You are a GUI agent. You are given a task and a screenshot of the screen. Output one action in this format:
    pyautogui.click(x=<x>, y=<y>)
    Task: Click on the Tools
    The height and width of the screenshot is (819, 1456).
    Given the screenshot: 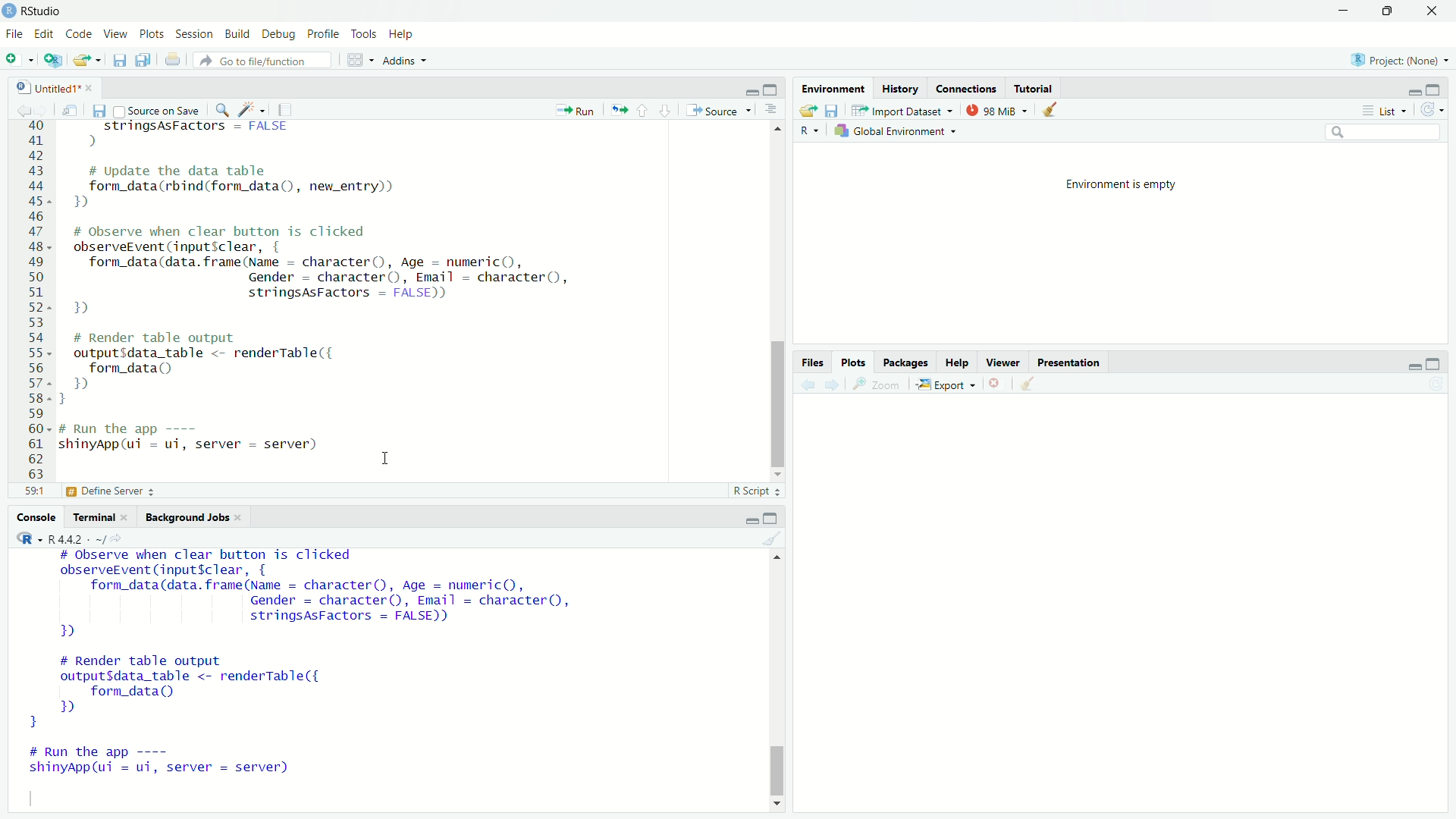 What is the action you would take?
    pyautogui.click(x=364, y=33)
    